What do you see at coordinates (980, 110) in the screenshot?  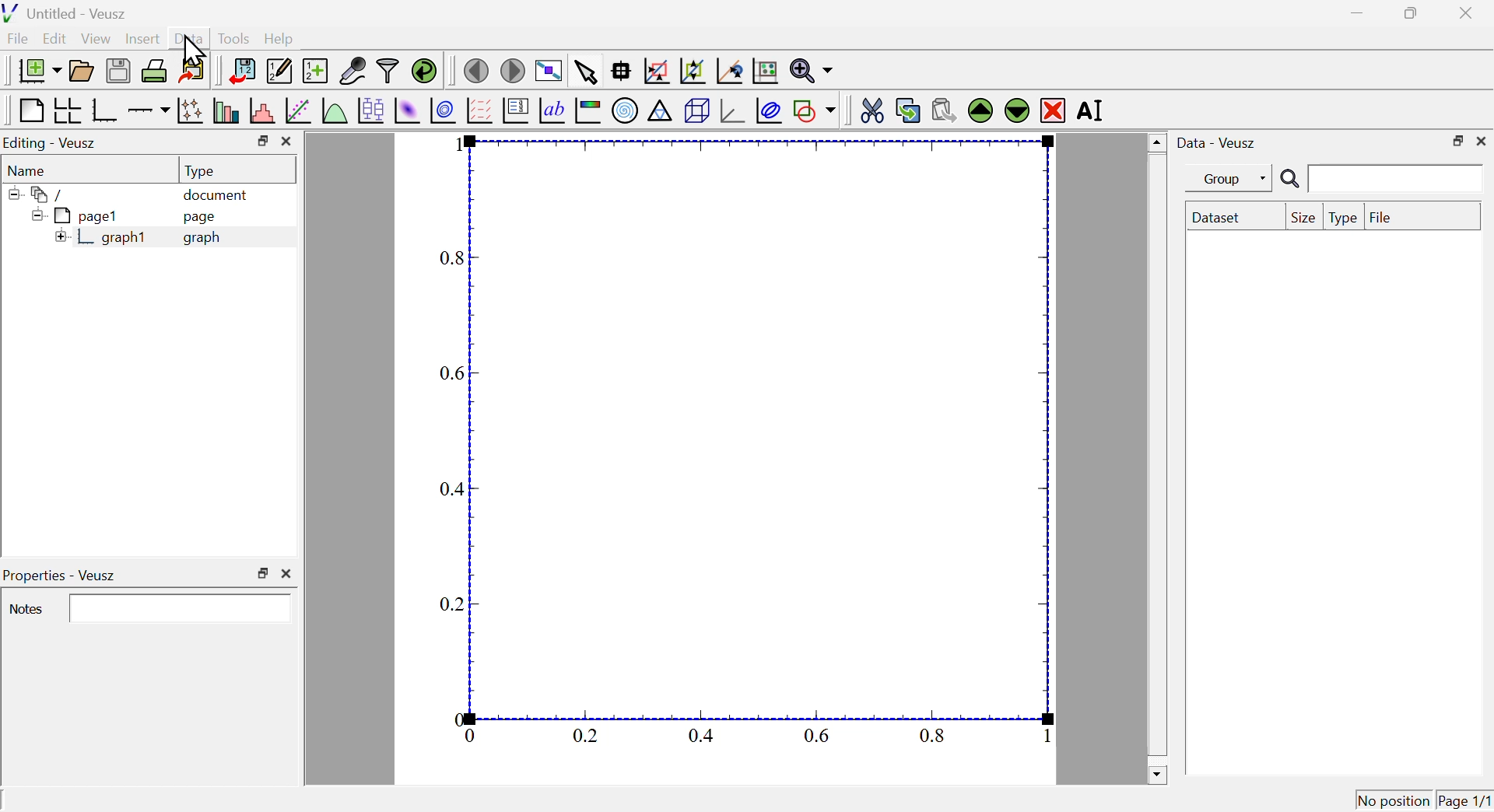 I see `move the selected widget up` at bounding box center [980, 110].